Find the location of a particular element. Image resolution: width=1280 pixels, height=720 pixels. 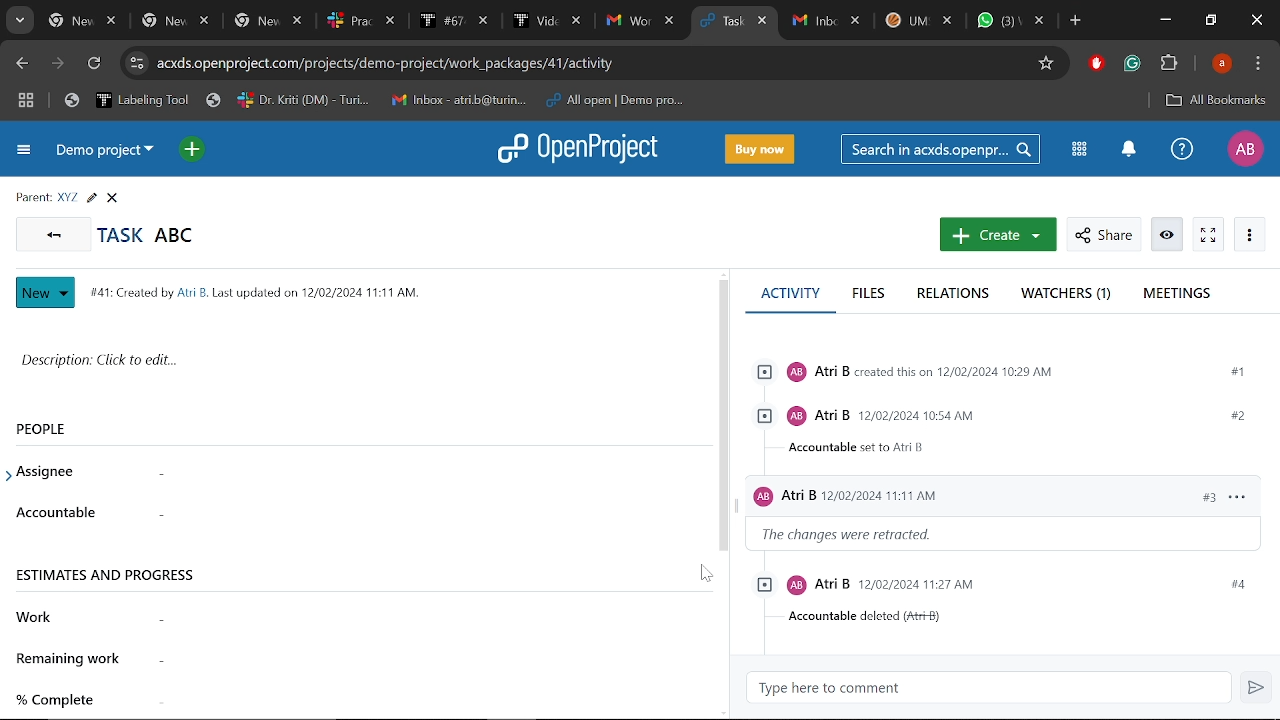

extensions is located at coordinates (1170, 65).